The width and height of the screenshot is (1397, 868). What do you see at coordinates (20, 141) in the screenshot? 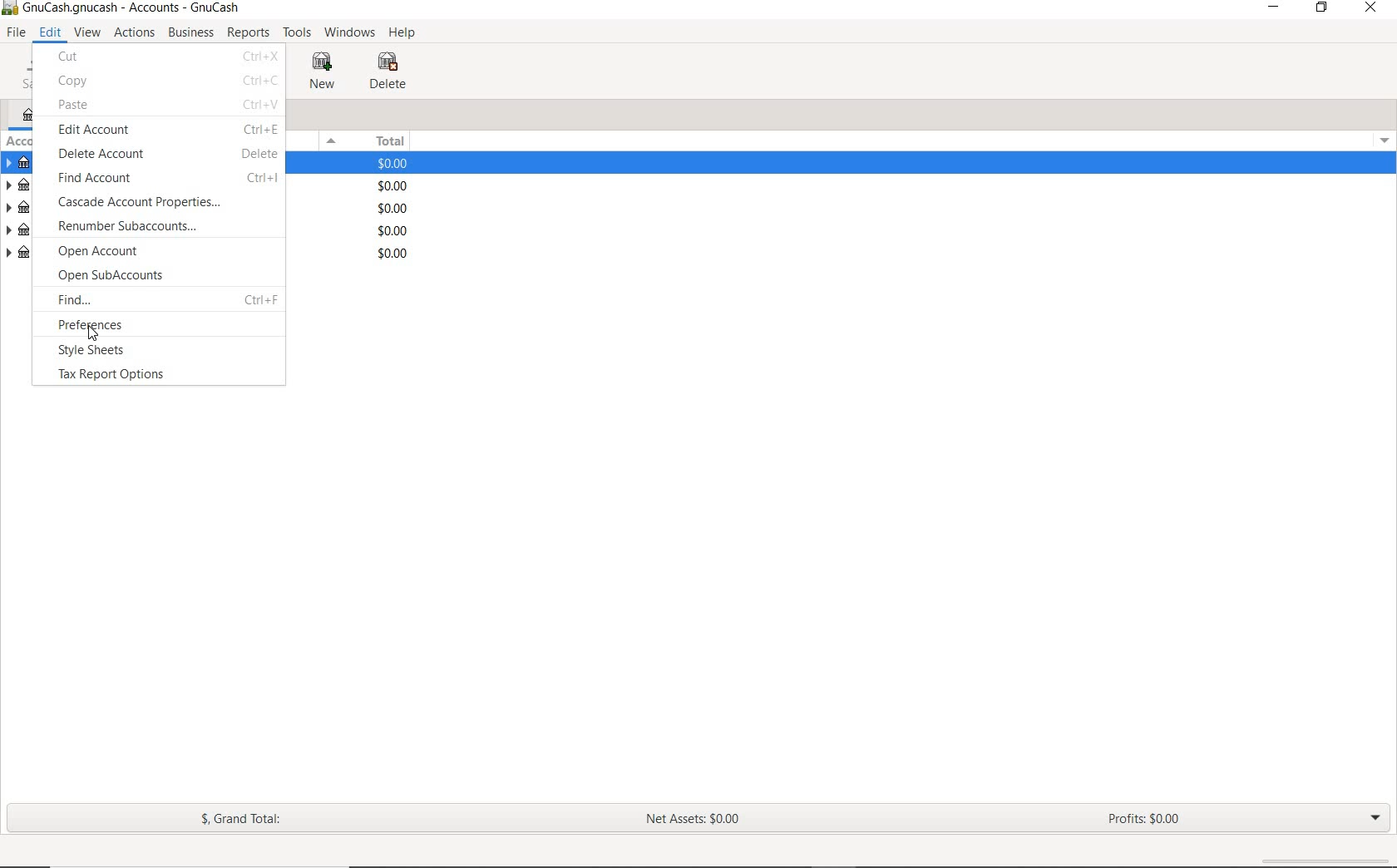
I see `ACCOUNT NAME` at bounding box center [20, 141].